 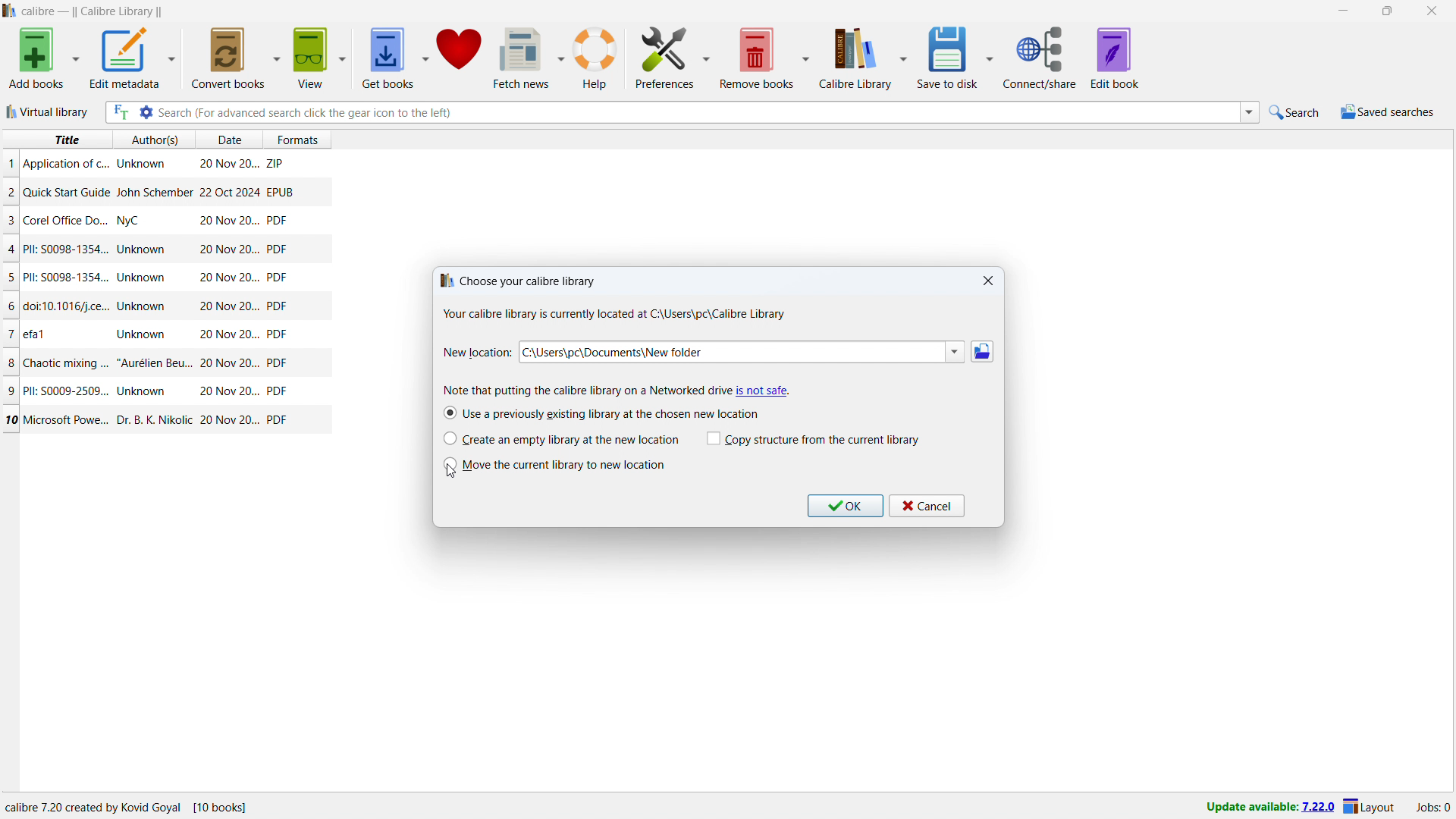 I want to click on Date, so click(x=227, y=391).